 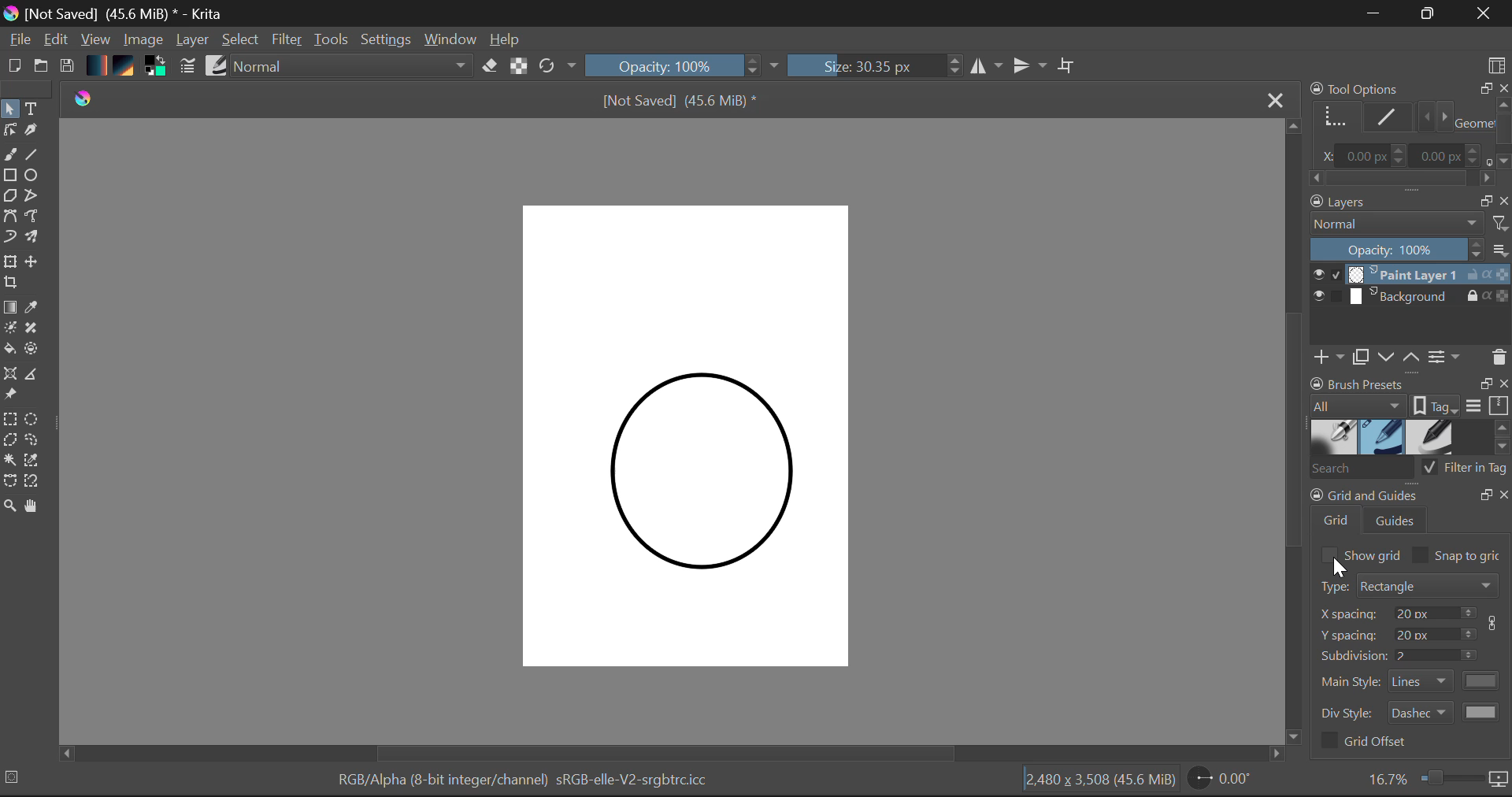 What do you see at coordinates (1374, 14) in the screenshot?
I see `Restore Down` at bounding box center [1374, 14].